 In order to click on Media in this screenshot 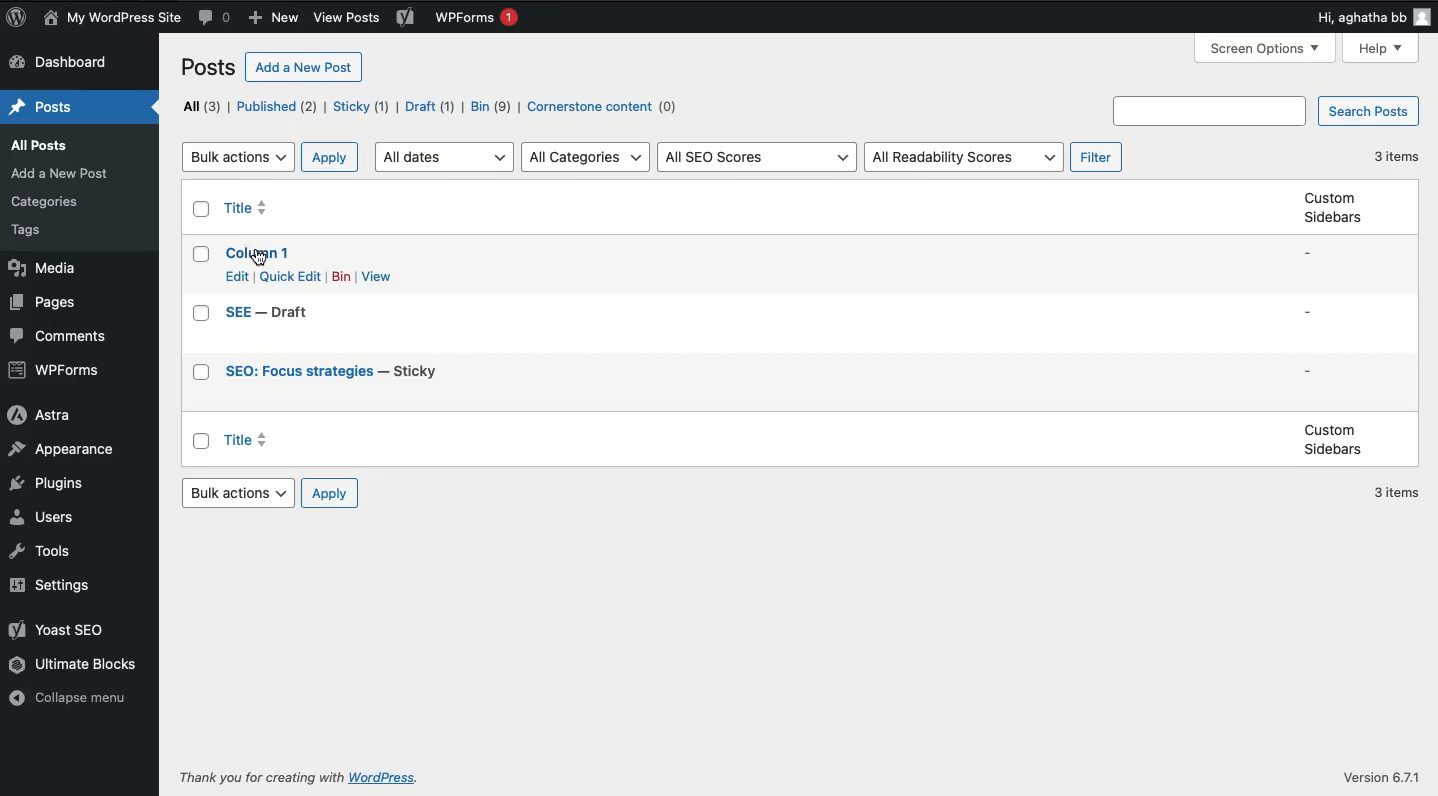, I will do `click(45, 267)`.